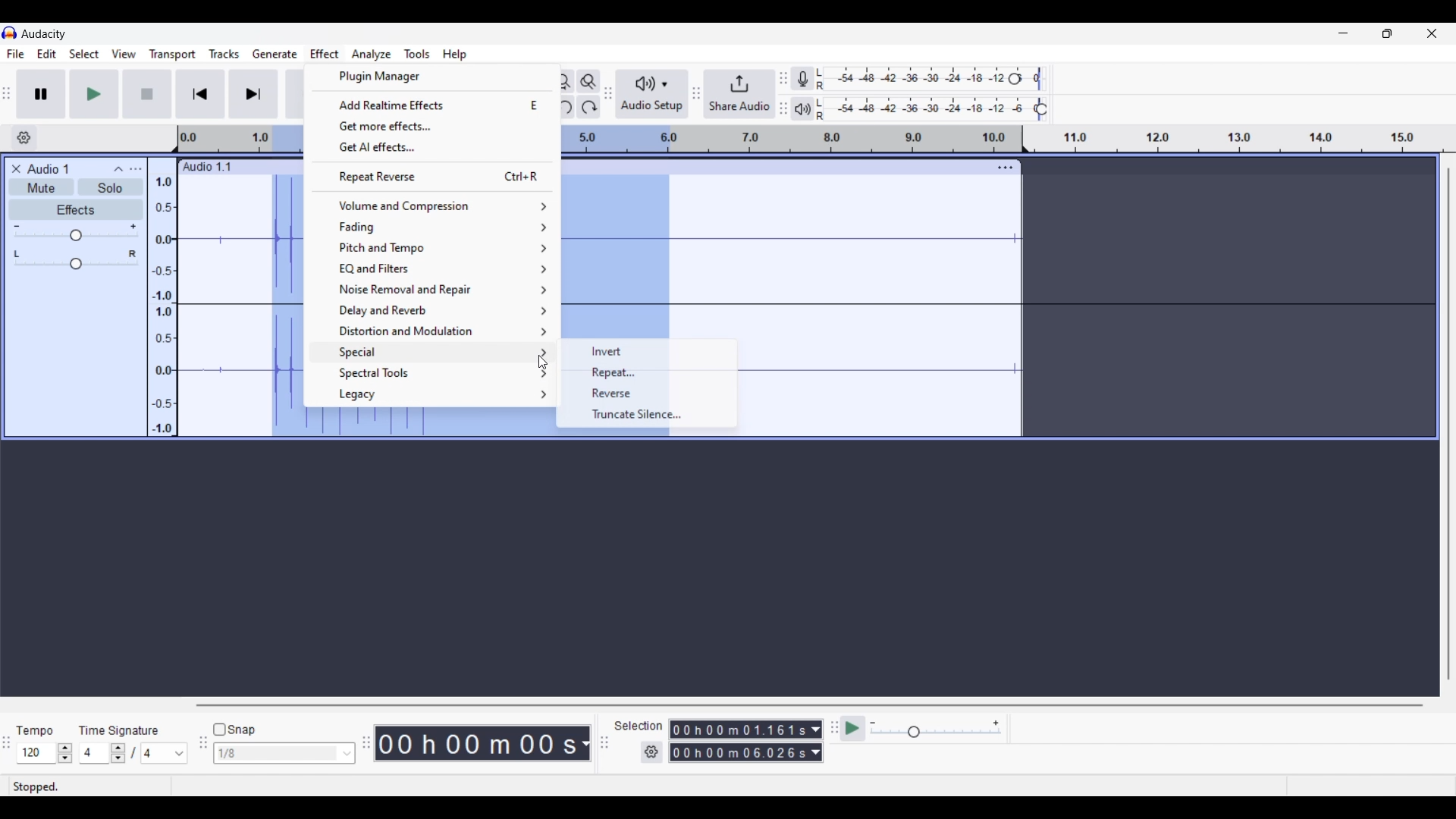 The width and height of the screenshot is (1456, 819). I want to click on Scale, so click(787, 139).